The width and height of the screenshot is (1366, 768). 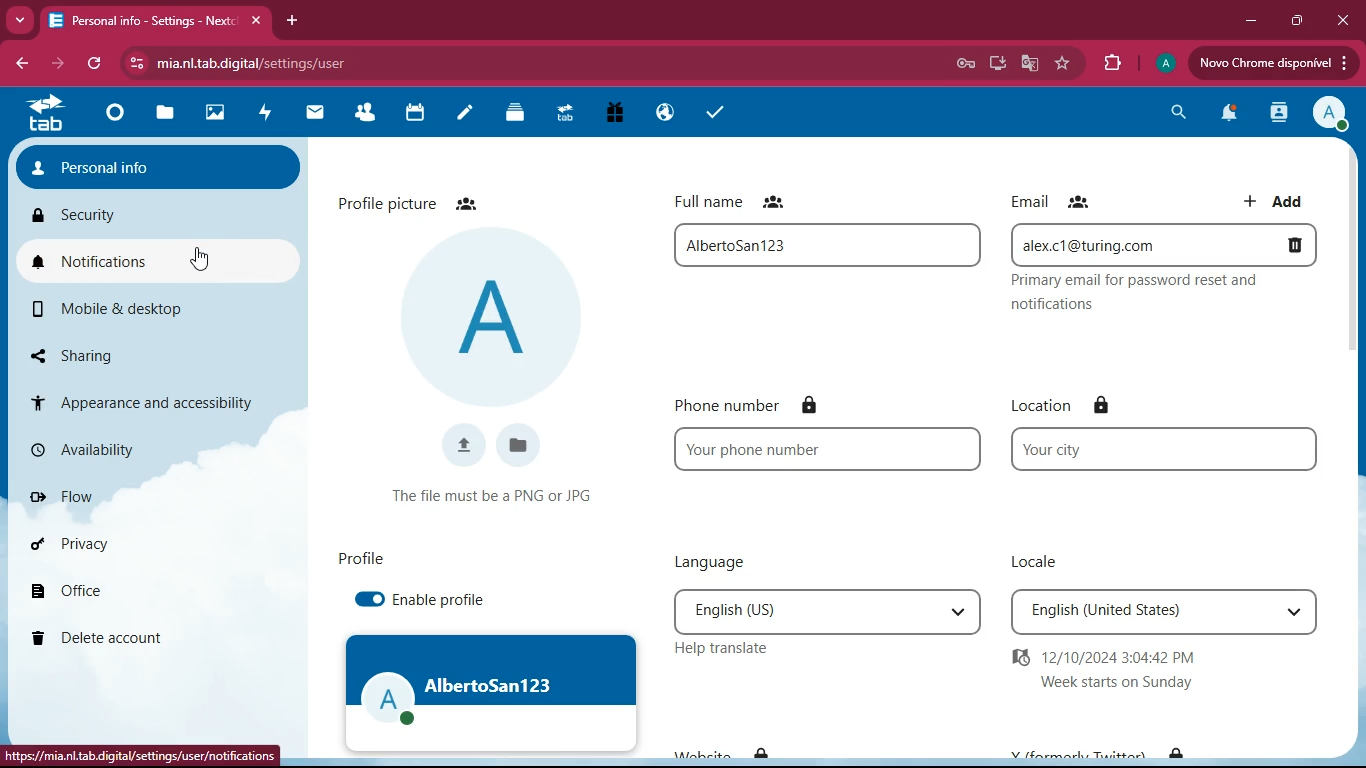 What do you see at coordinates (619, 114) in the screenshot?
I see `gift` at bounding box center [619, 114].